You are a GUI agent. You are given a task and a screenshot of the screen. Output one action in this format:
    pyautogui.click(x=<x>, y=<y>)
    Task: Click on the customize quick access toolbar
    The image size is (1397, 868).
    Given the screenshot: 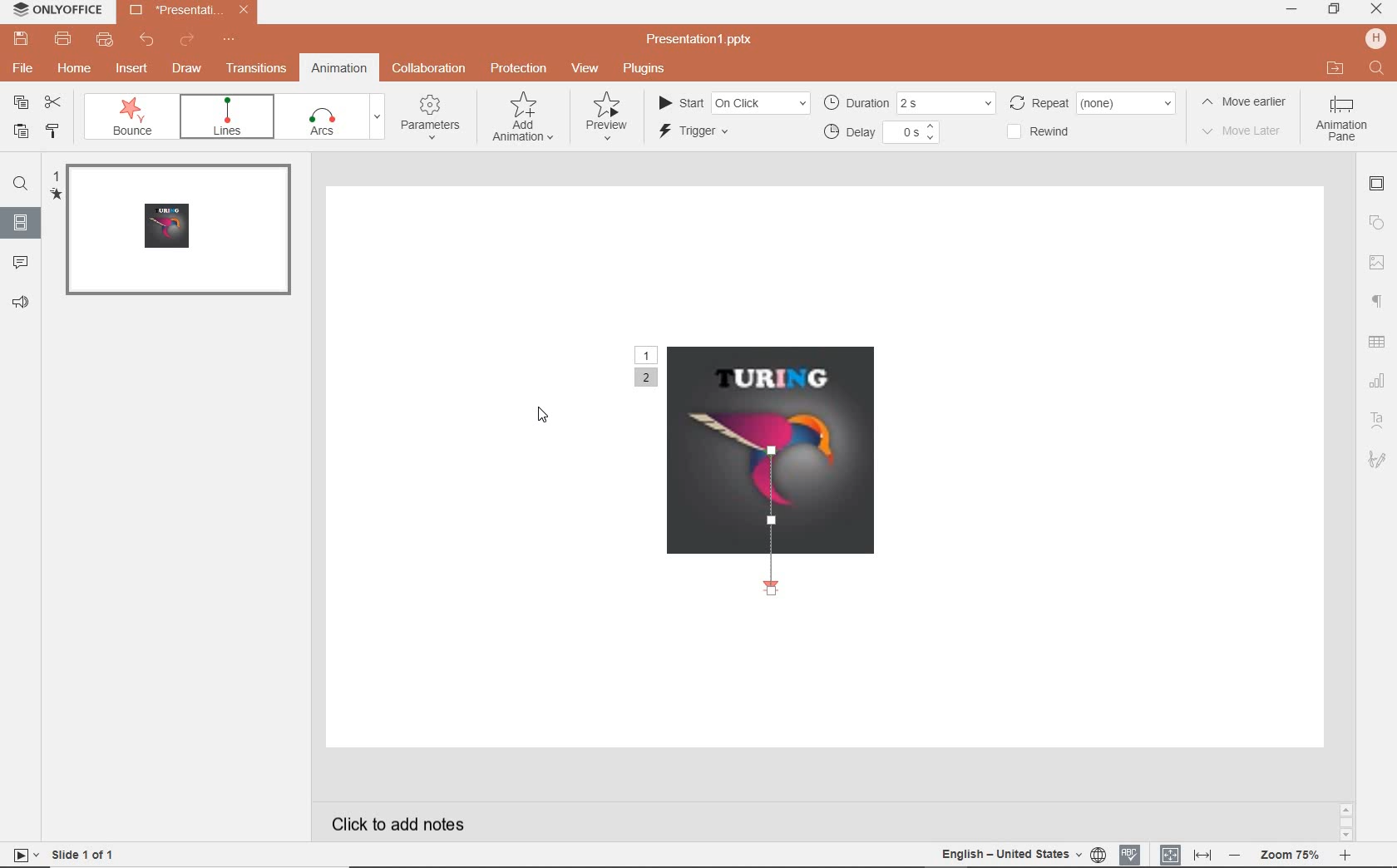 What is the action you would take?
    pyautogui.click(x=228, y=39)
    